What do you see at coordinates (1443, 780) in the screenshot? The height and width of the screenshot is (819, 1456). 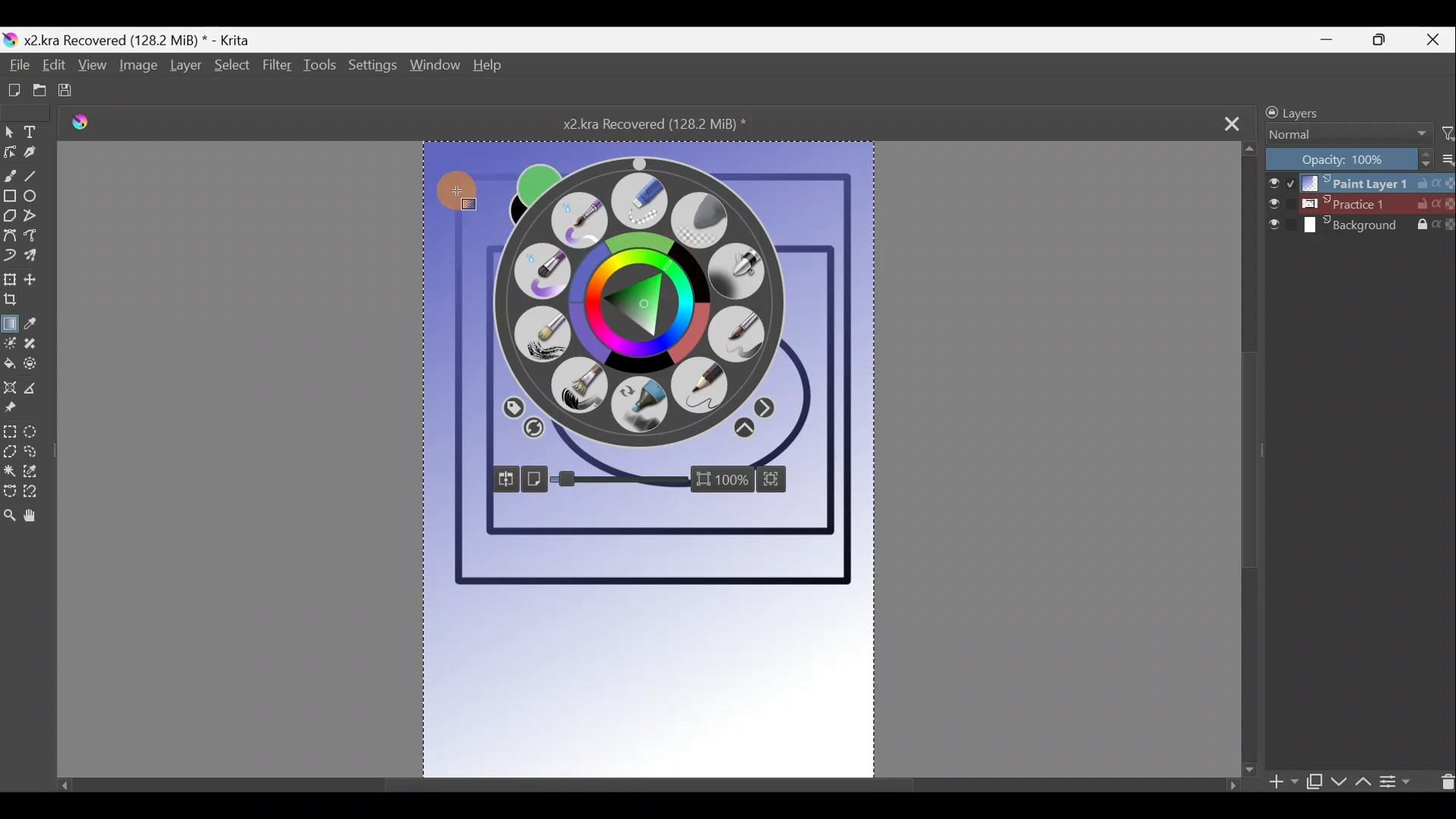 I see `Delete layer/mask` at bounding box center [1443, 780].